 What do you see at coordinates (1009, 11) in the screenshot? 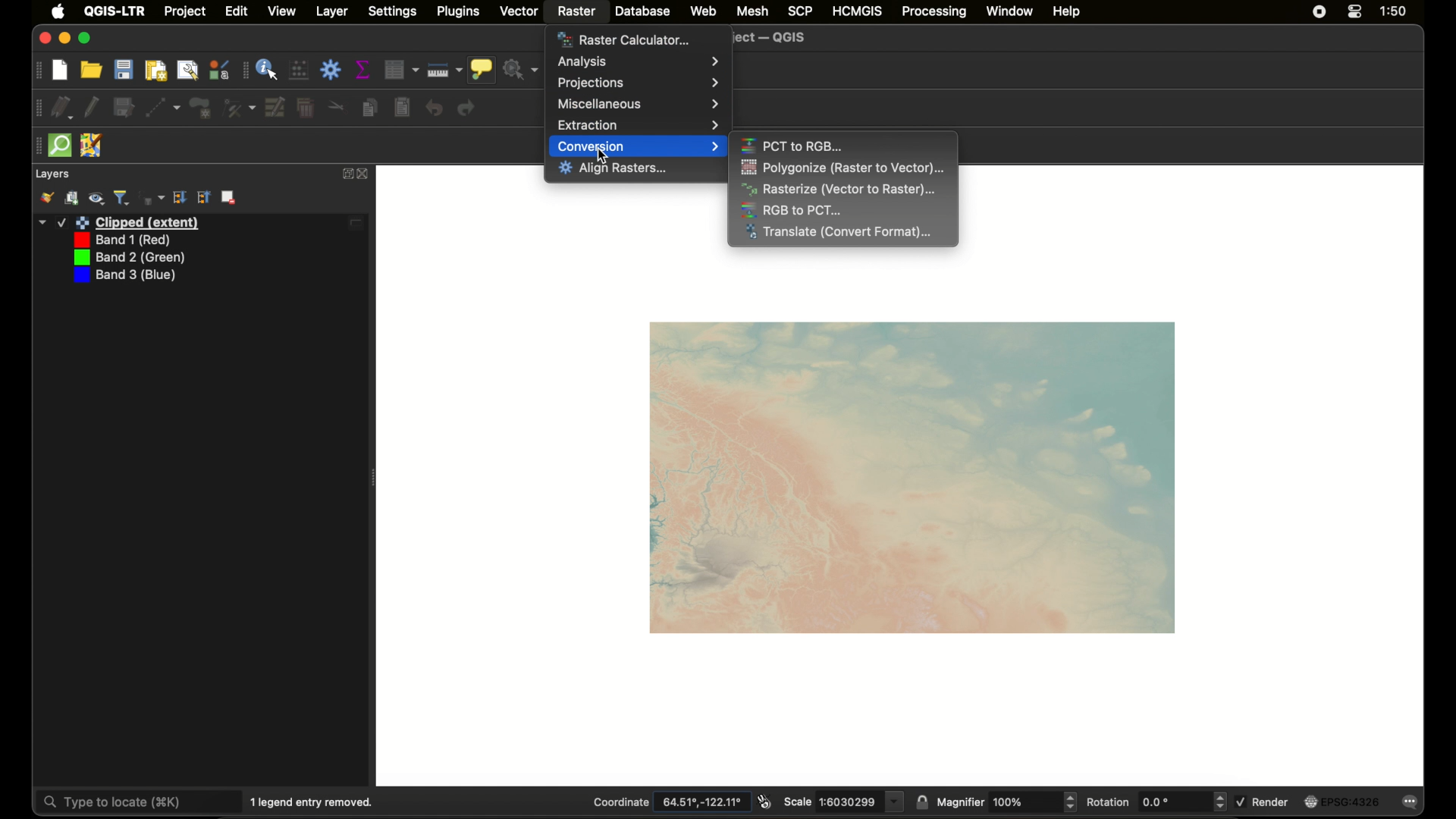
I see `window` at bounding box center [1009, 11].